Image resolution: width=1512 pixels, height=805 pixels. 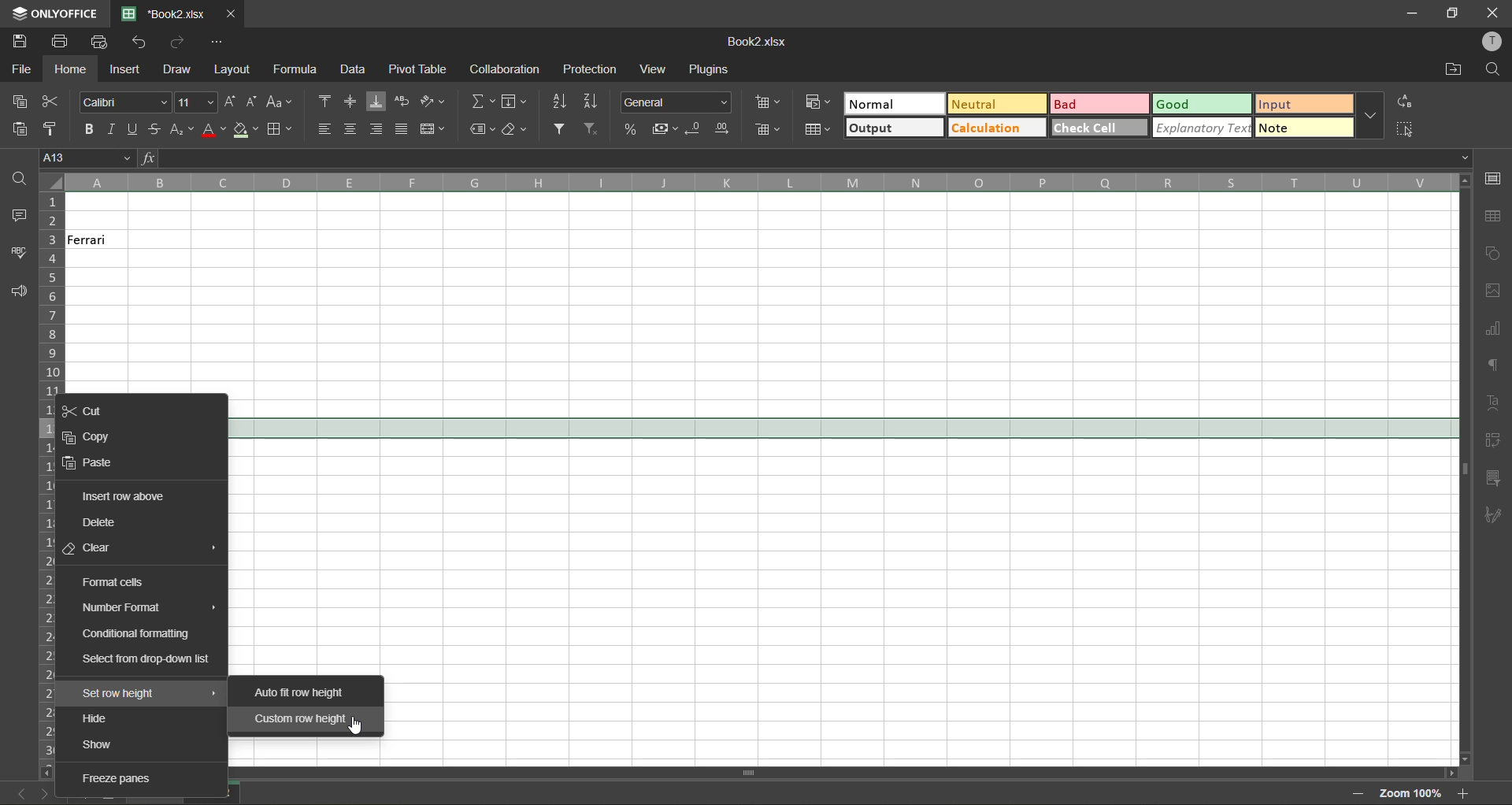 What do you see at coordinates (51, 102) in the screenshot?
I see `cut` at bounding box center [51, 102].